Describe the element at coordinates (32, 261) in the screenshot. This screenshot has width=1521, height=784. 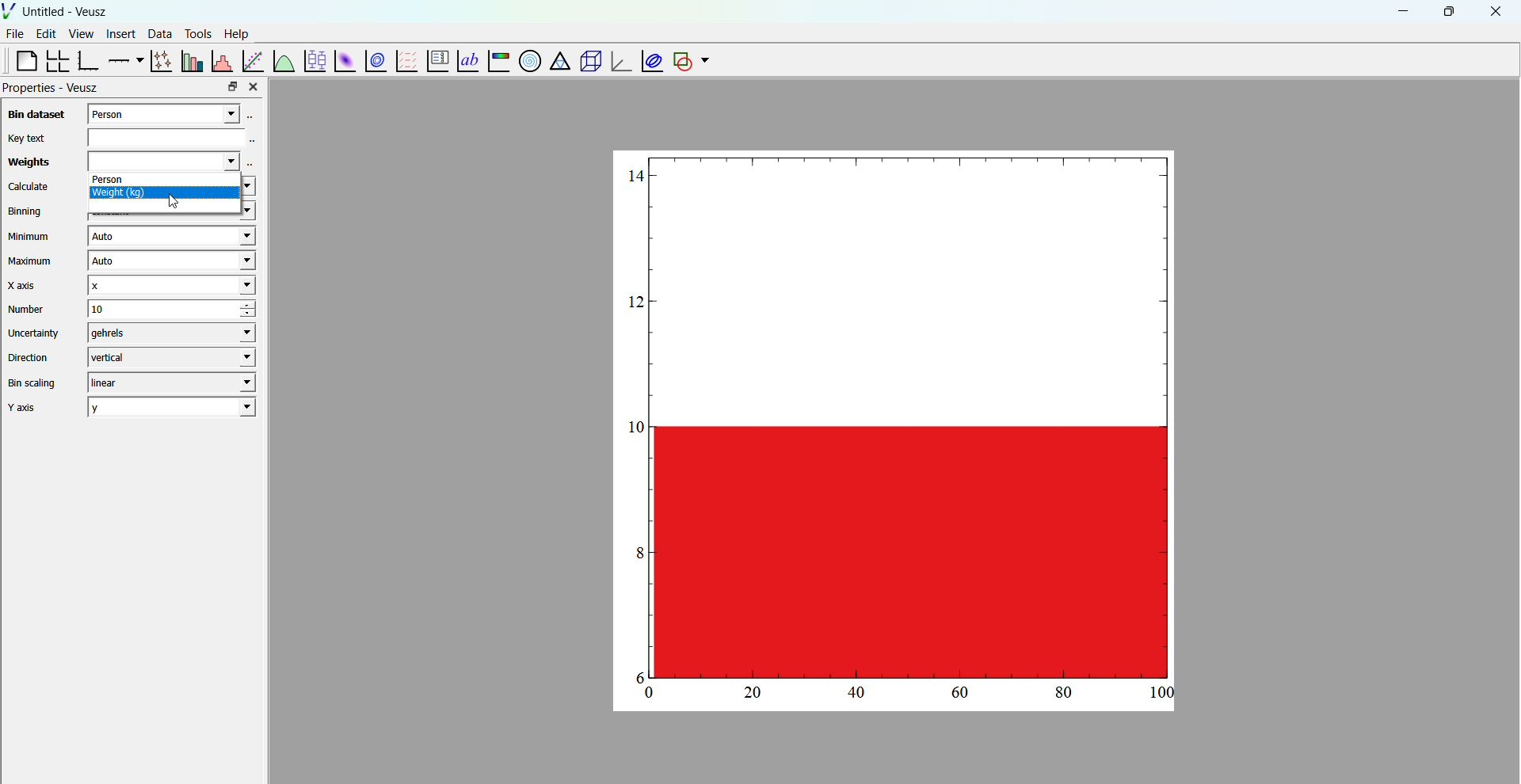
I see `Maximum` at that location.